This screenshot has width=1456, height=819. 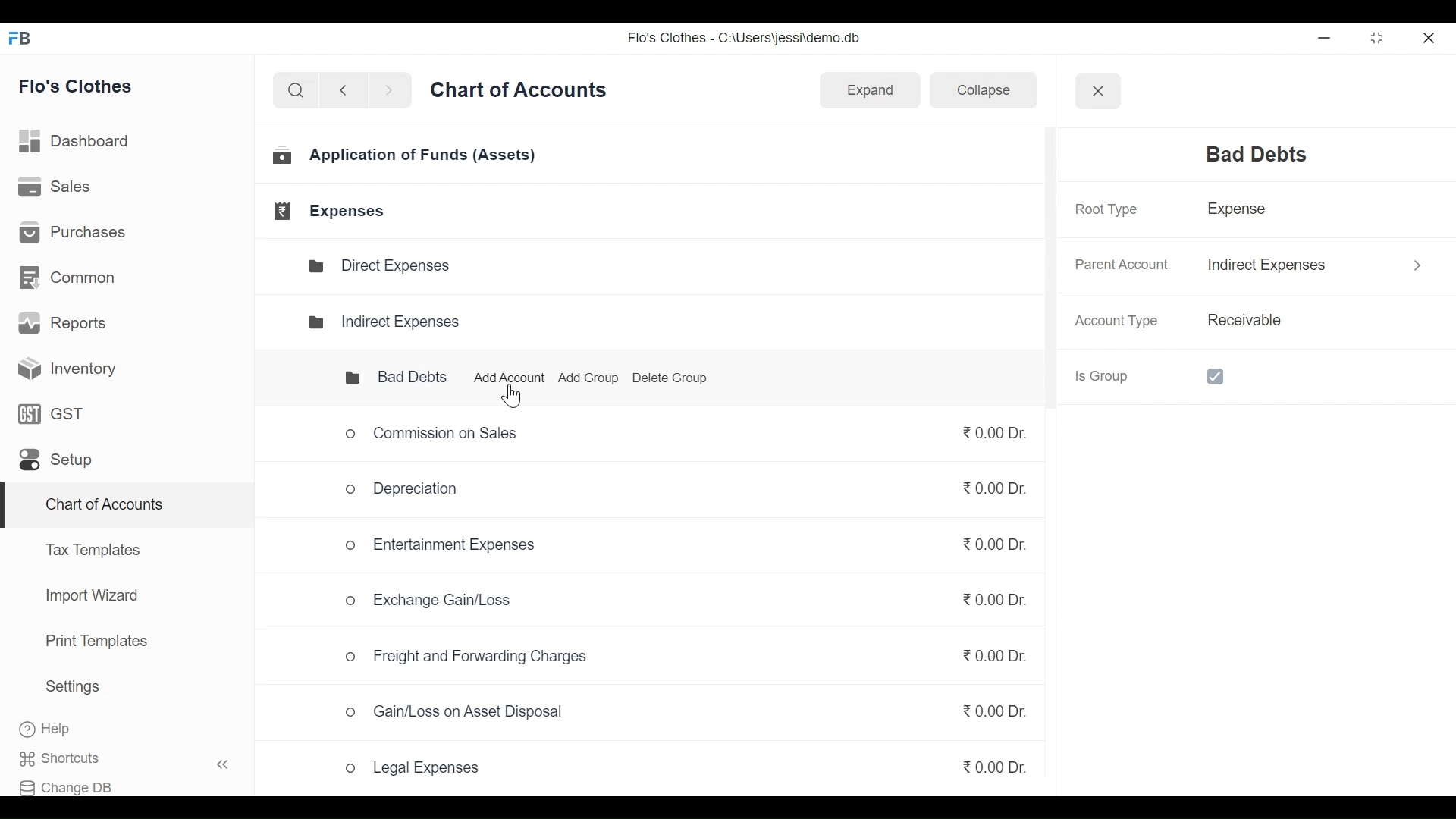 I want to click on Inventory, so click(x=62, y=368).